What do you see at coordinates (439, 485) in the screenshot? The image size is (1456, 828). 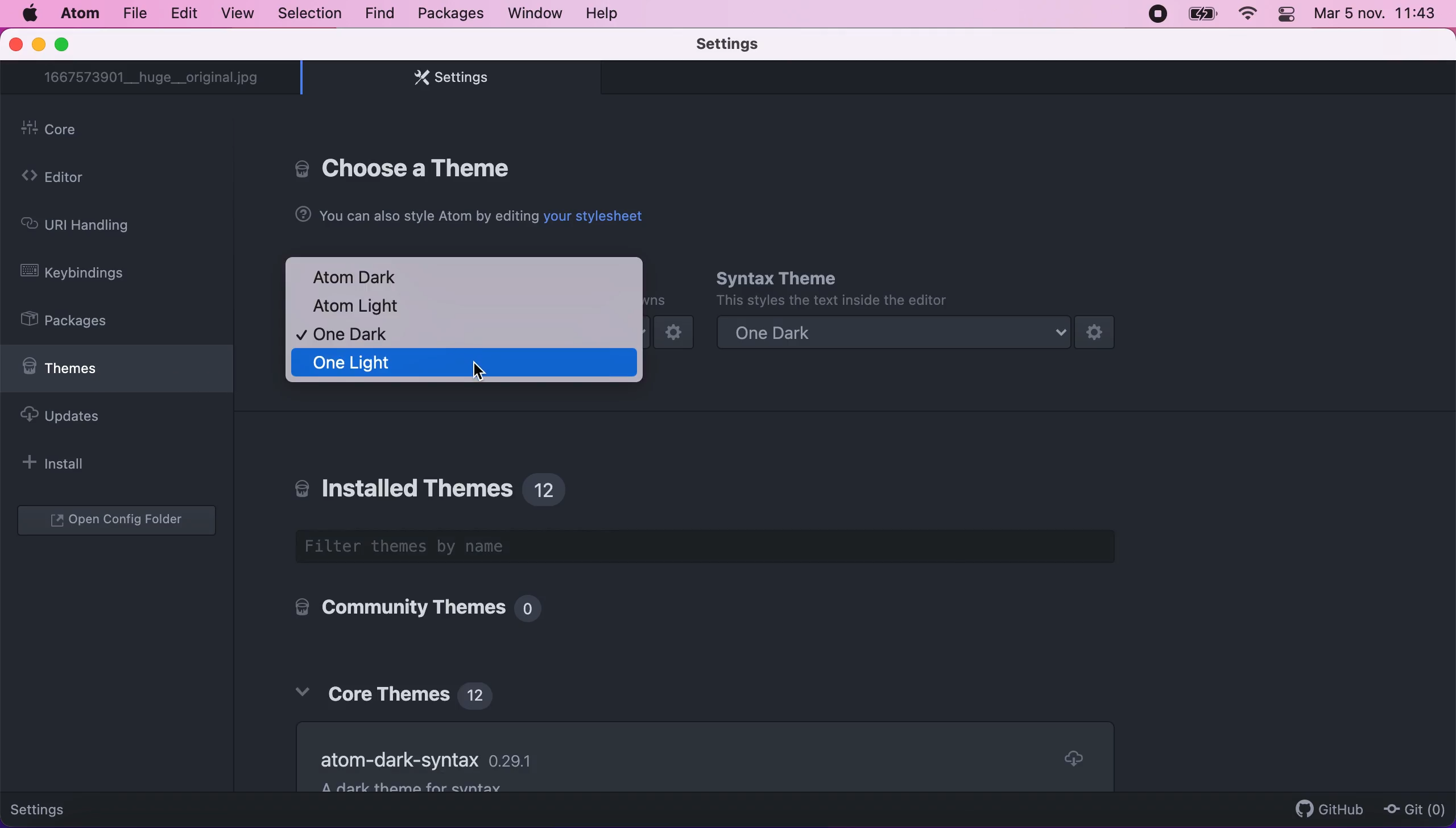 I see `installed themes` at bounding box center [439, 485].